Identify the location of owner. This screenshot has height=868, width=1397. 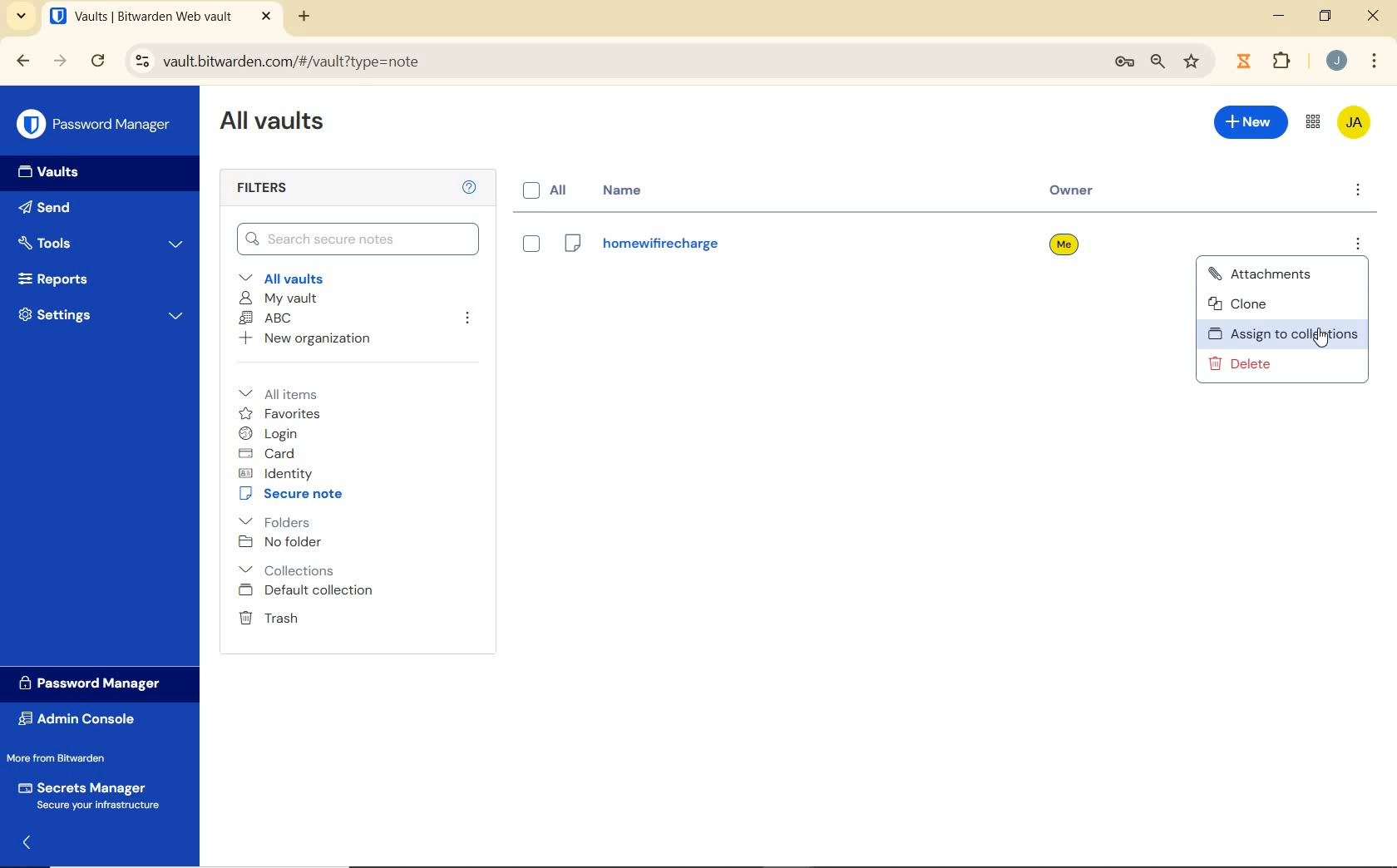
(1077, 192).